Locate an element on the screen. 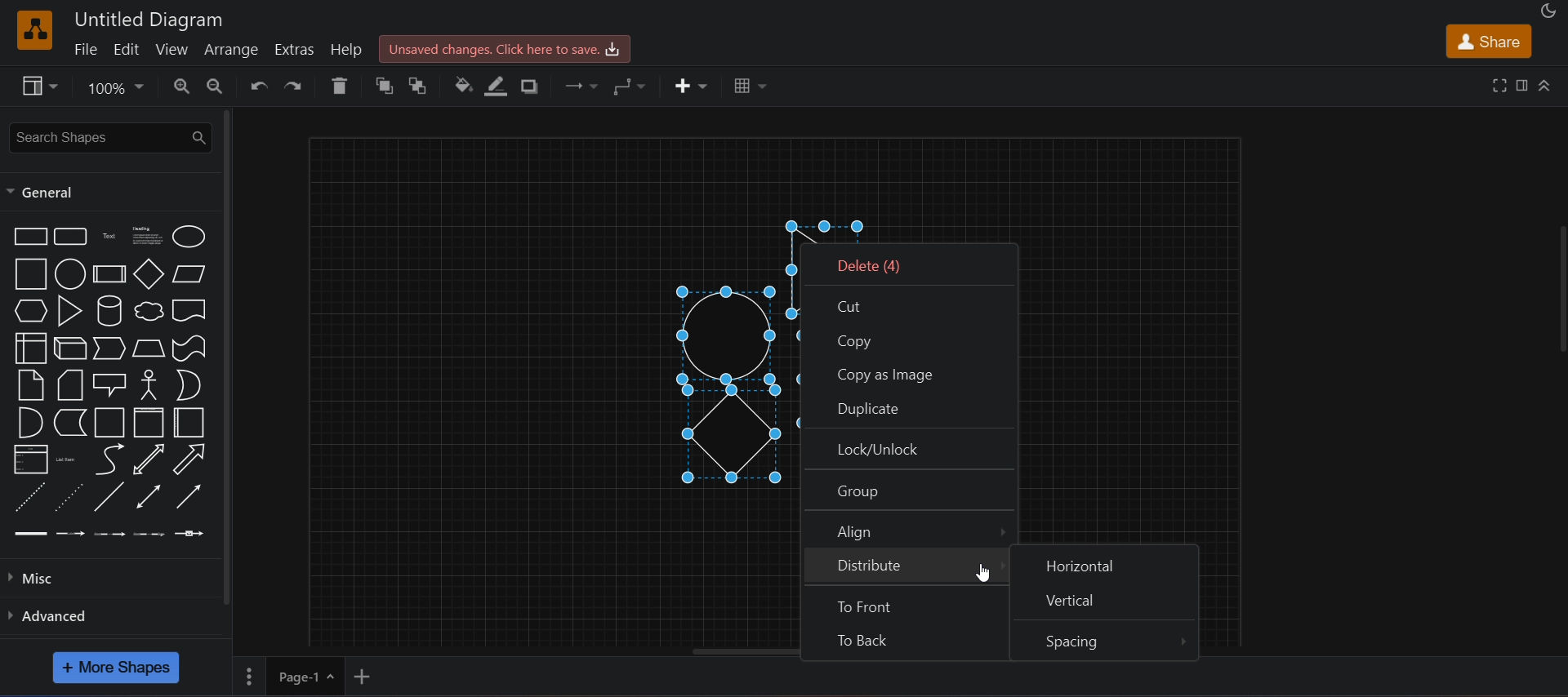 The height and width of the screenshot is (697, 1568). table is located at coordinates (747, 85).